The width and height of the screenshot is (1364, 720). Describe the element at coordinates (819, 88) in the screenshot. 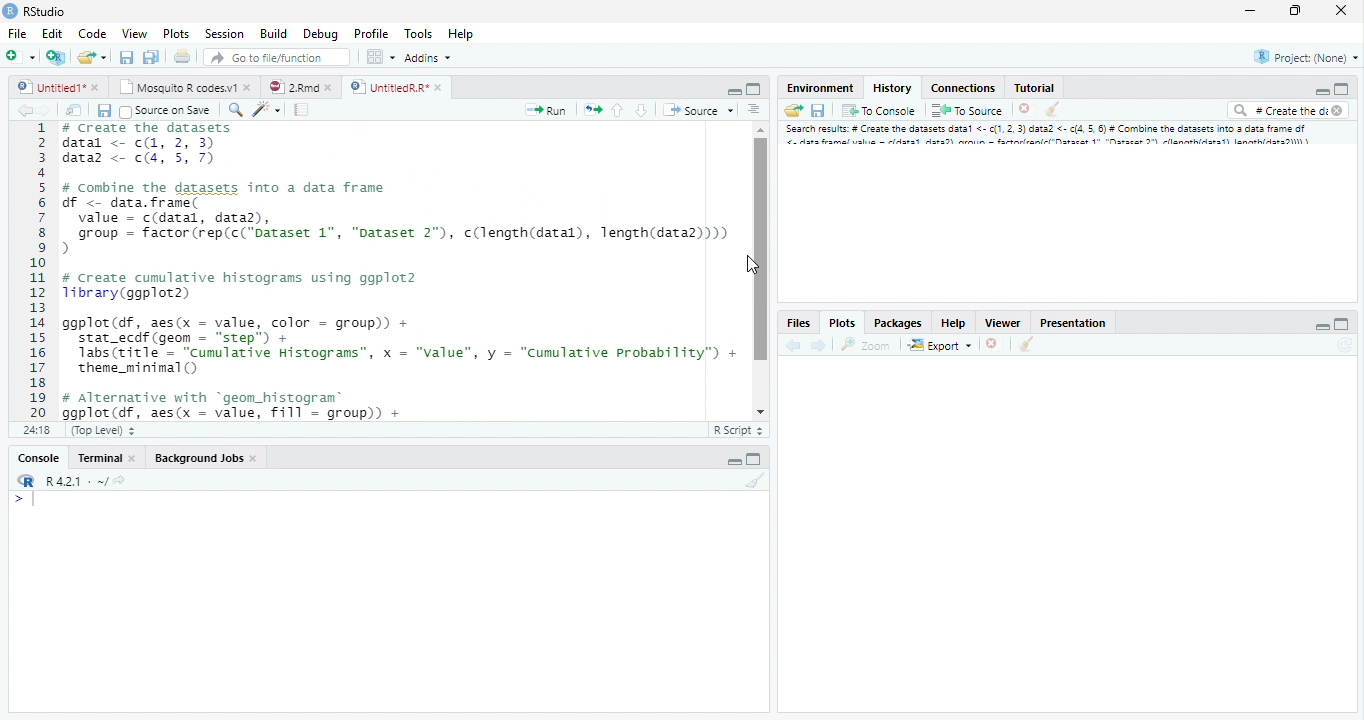

I see `Environment` at that location.